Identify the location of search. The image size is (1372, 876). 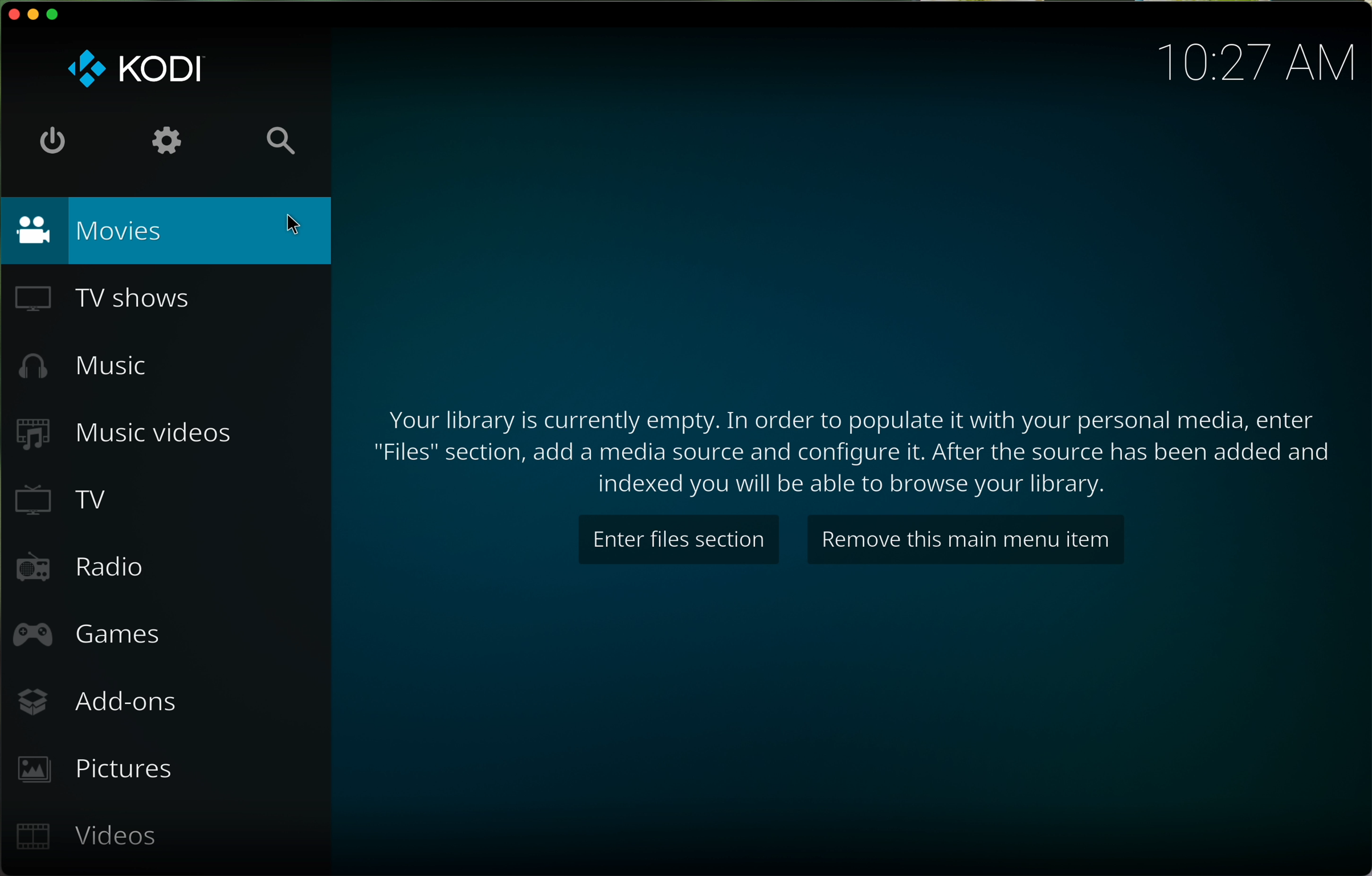
(283, 144).